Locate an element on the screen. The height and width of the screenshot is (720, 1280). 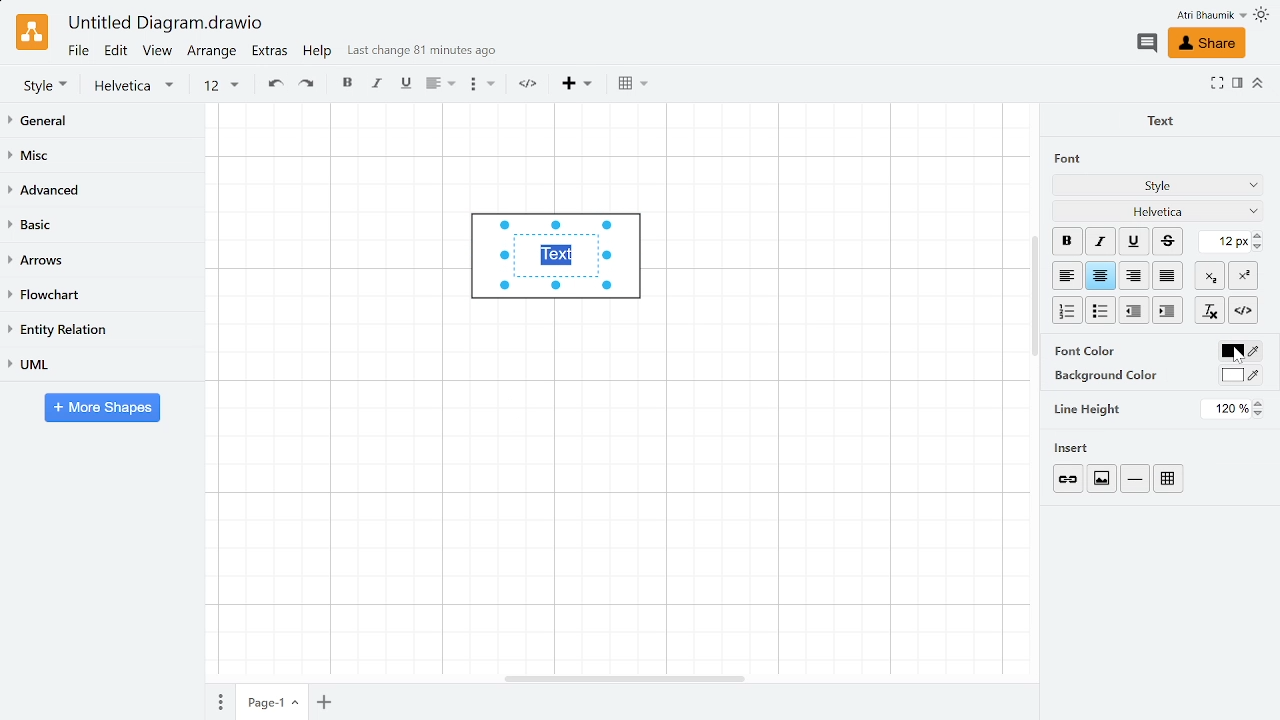
Drag.io logo is located at coordinates (31, 32).